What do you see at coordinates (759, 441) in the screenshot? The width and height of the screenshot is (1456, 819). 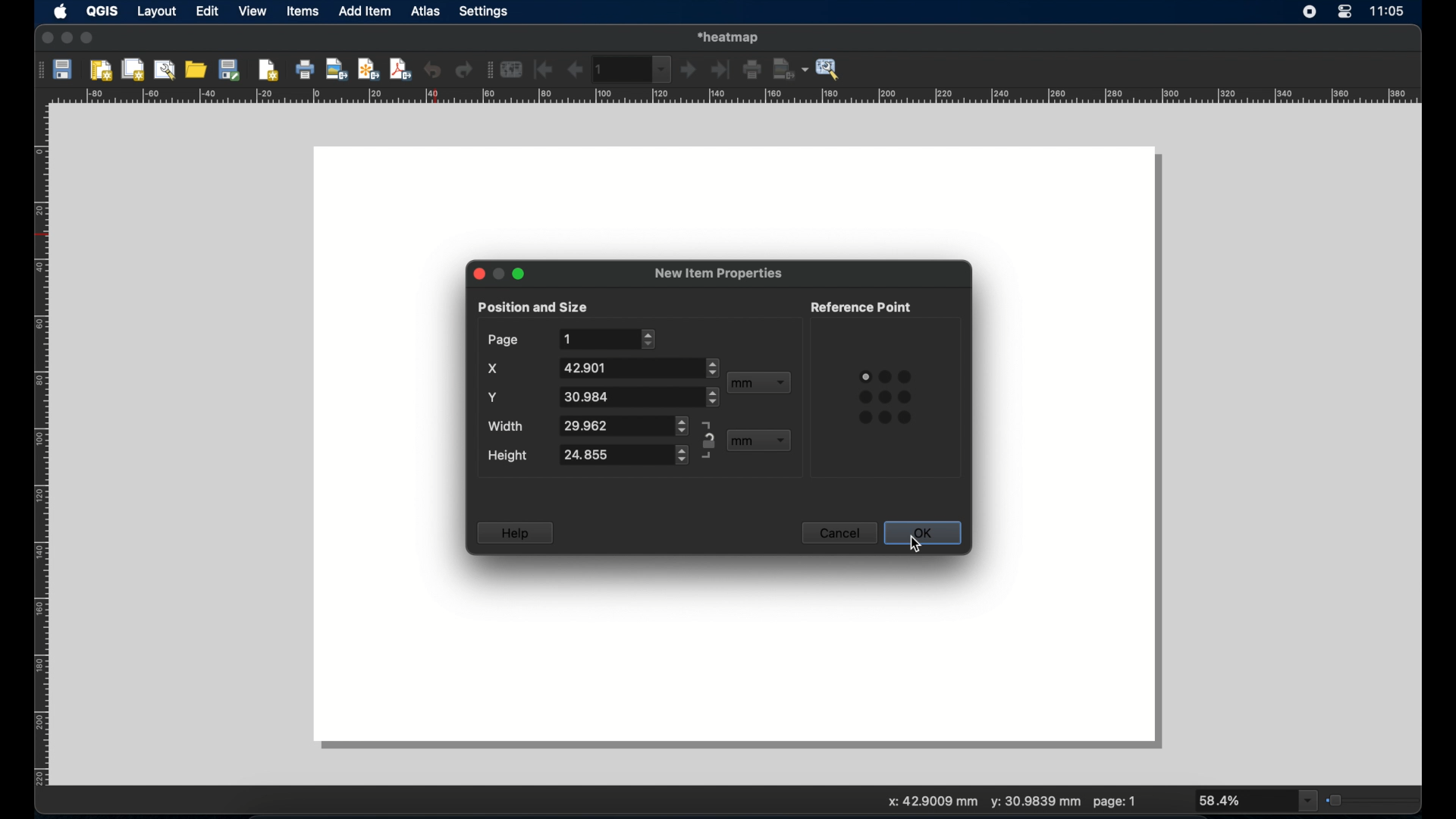 I see `heigh mm drop down` at bounding box center [759, 441].